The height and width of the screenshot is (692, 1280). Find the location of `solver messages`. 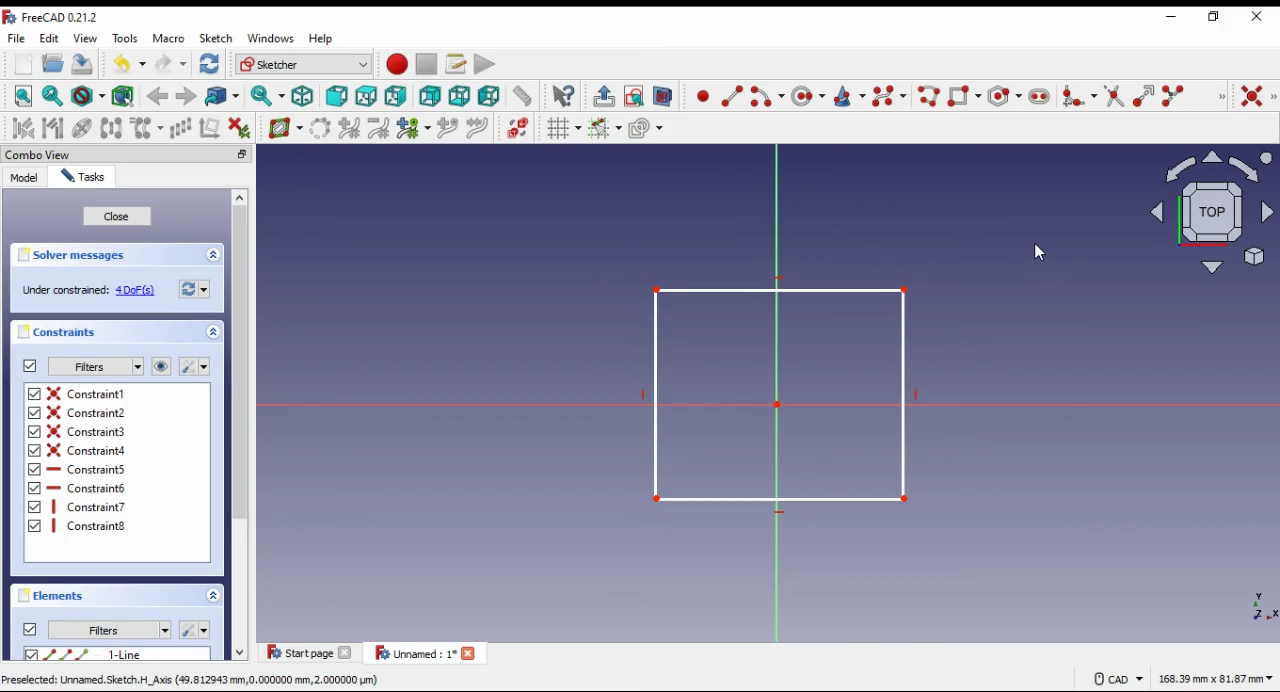

solver messages is located at coordinates (77, 255).